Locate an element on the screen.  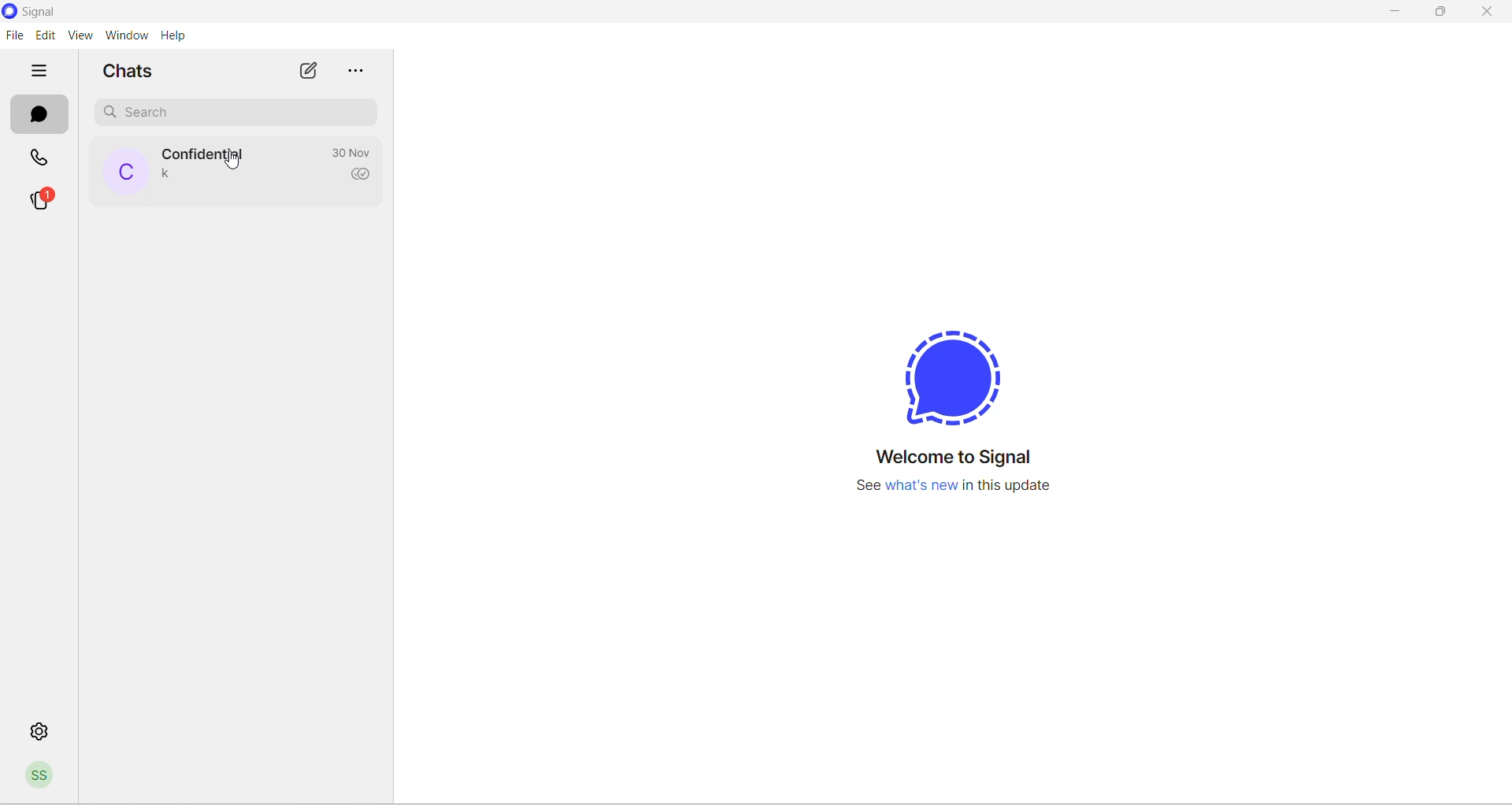
chats heading is located at coordinates (129, 69).